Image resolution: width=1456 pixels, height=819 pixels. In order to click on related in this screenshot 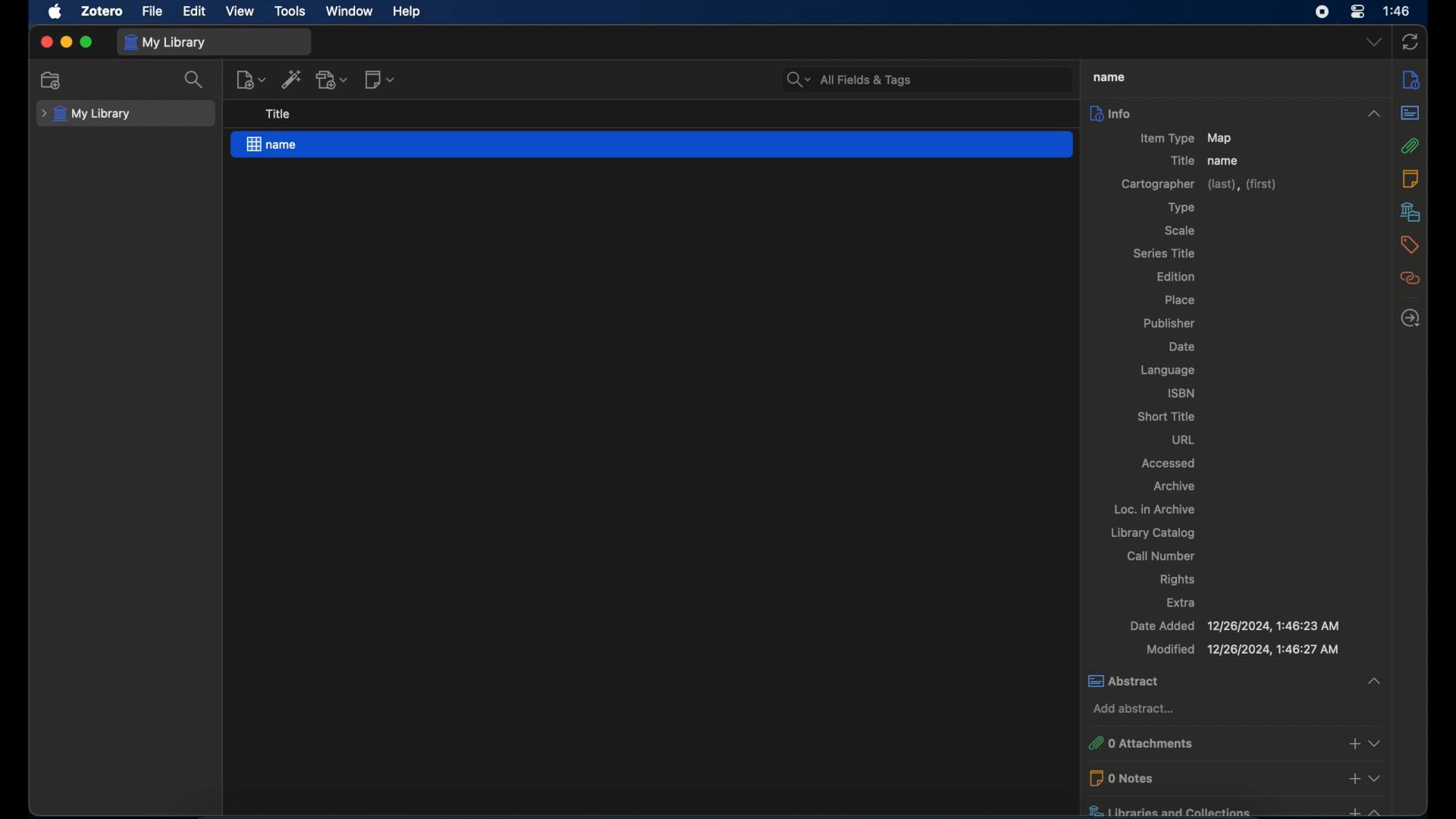, I will do `click(1410, 278)`.